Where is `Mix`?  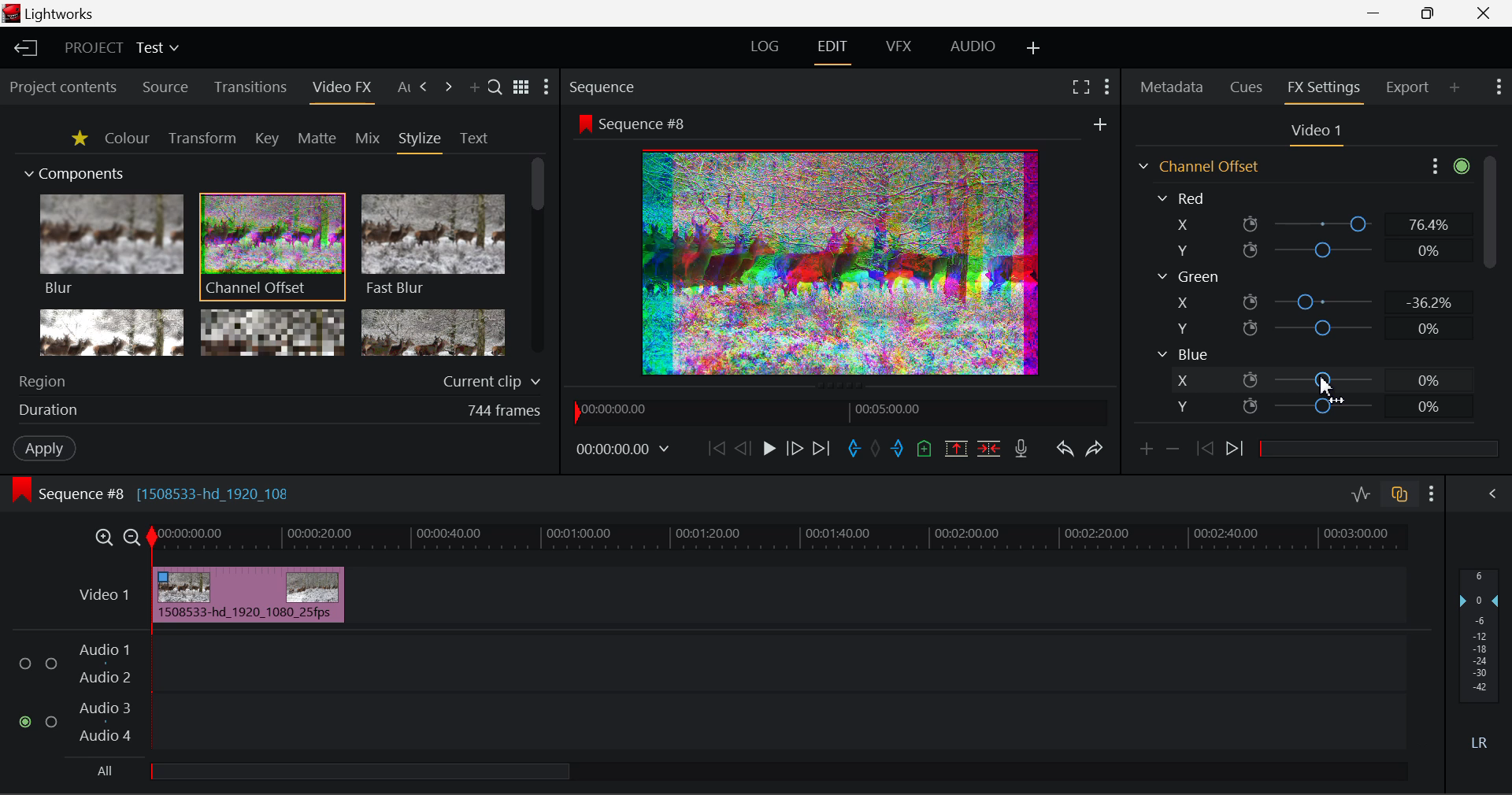
Mix is located at coordinates (369, 139).